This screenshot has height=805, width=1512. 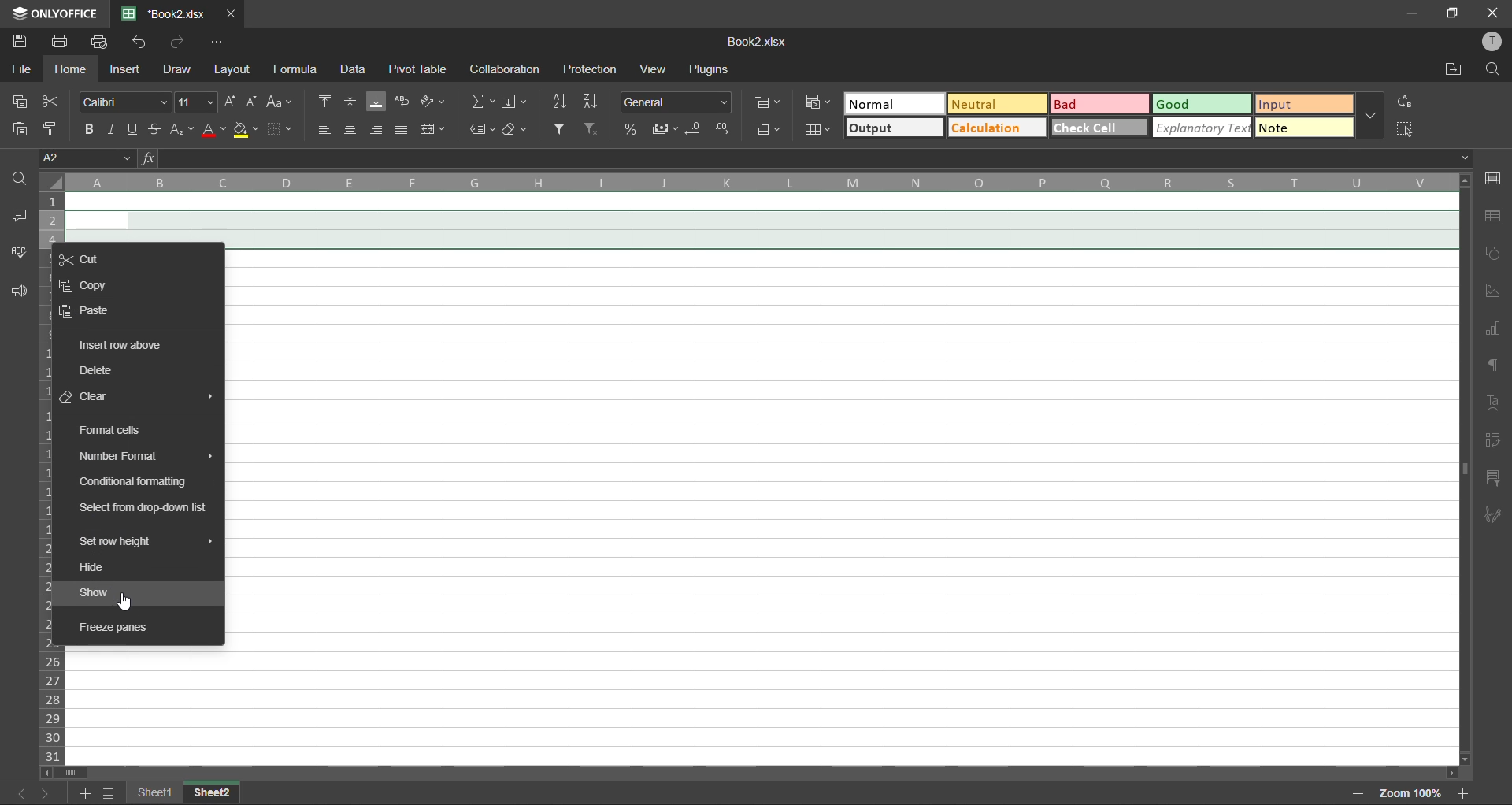 I want to click on underline, so click(x=135, y=127).